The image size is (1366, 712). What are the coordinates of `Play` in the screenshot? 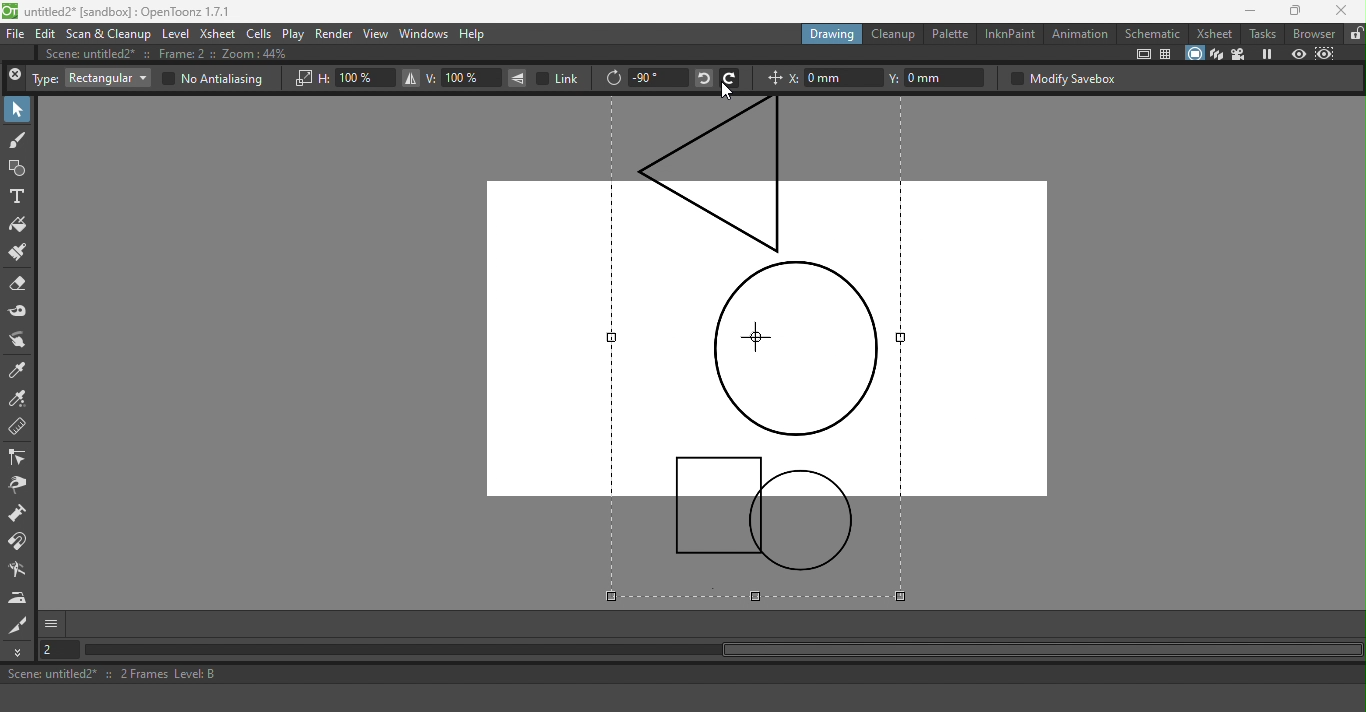 It's located at (294, 34).